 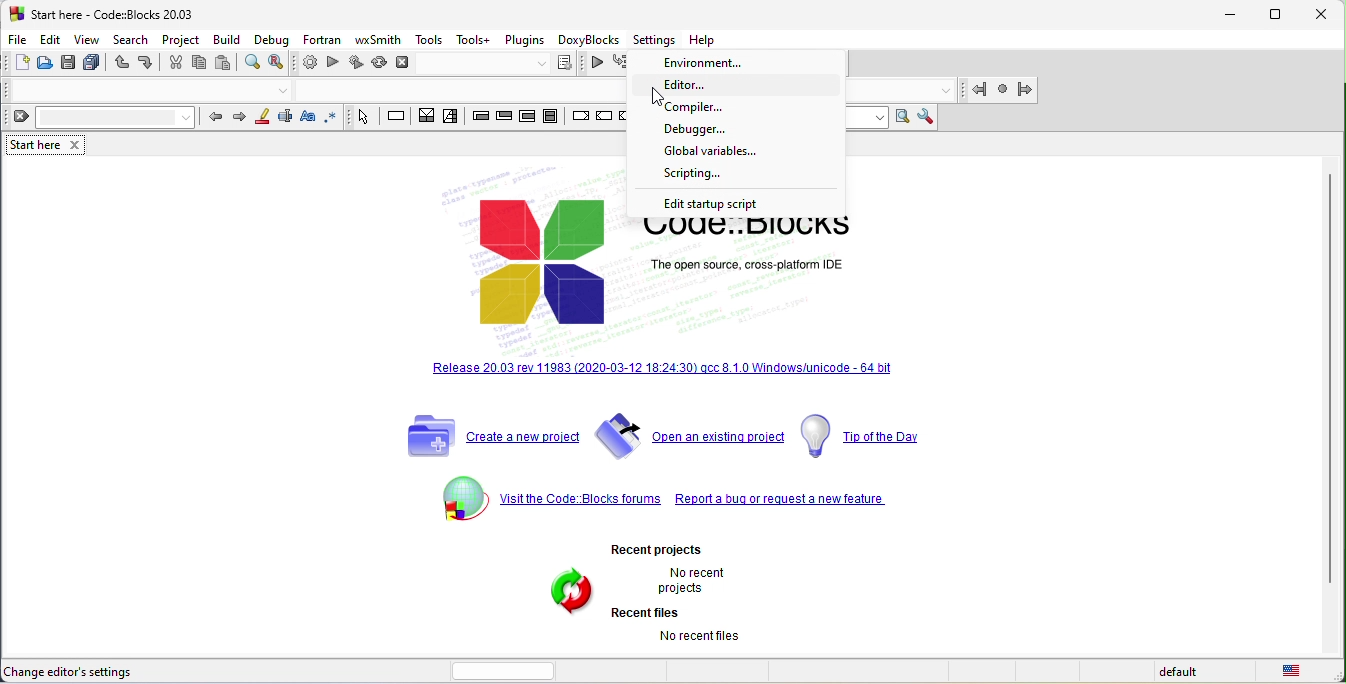 What do you see at coordinates (310, 64) in the screenshot?
I see `build` at bounding box center [310, 64].